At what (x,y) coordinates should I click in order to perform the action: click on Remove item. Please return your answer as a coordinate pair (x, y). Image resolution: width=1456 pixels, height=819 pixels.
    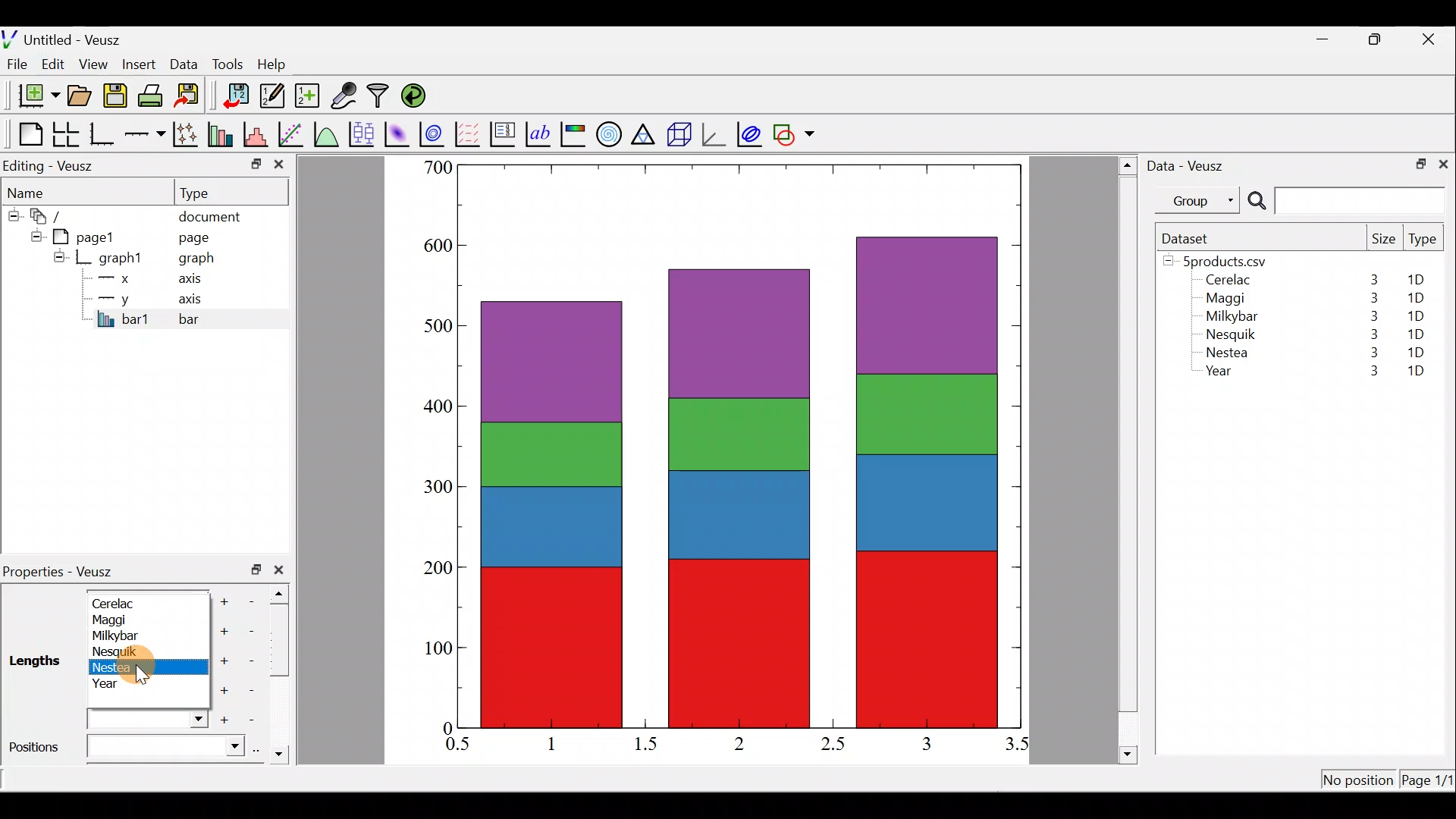
    Looking at the image, I should click on (256, 600).